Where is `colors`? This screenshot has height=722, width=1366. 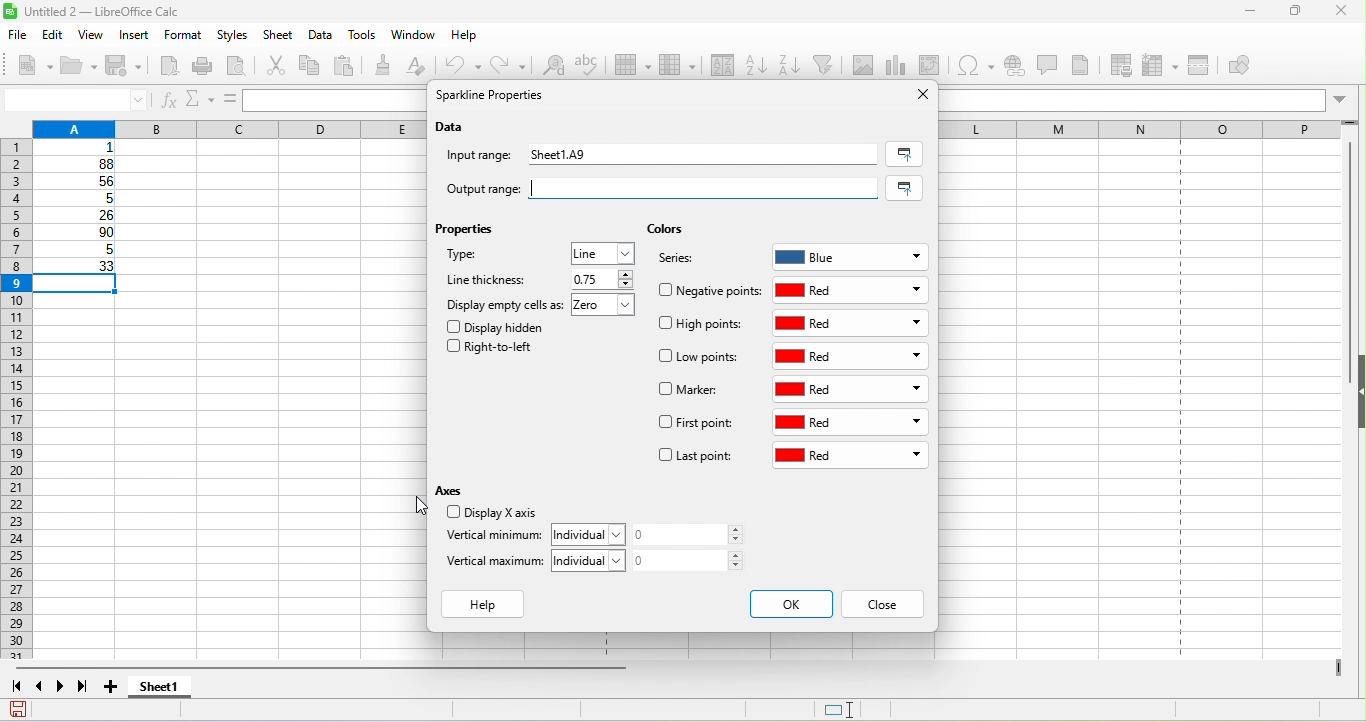
colors is located at coordinates (665, 230).